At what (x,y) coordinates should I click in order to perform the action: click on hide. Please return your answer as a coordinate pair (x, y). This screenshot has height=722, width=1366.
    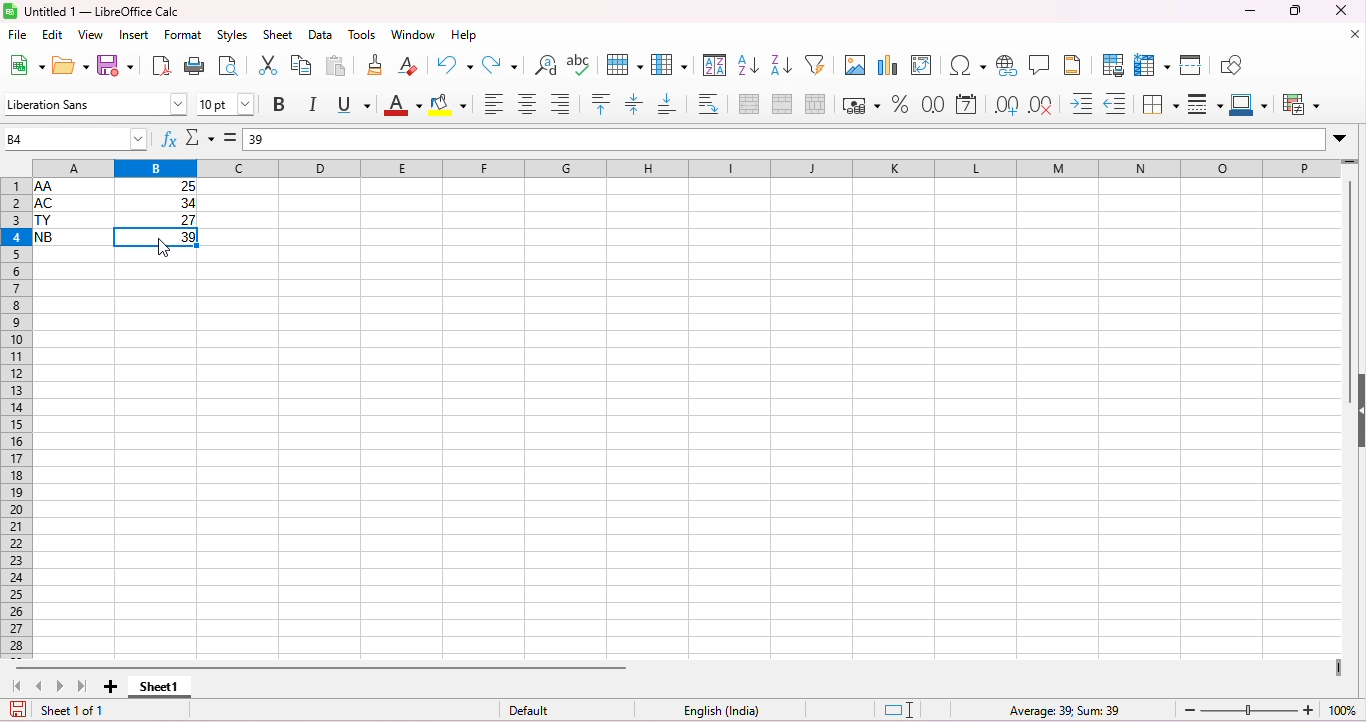
    Looking at the image, I should click on (1357, 414).